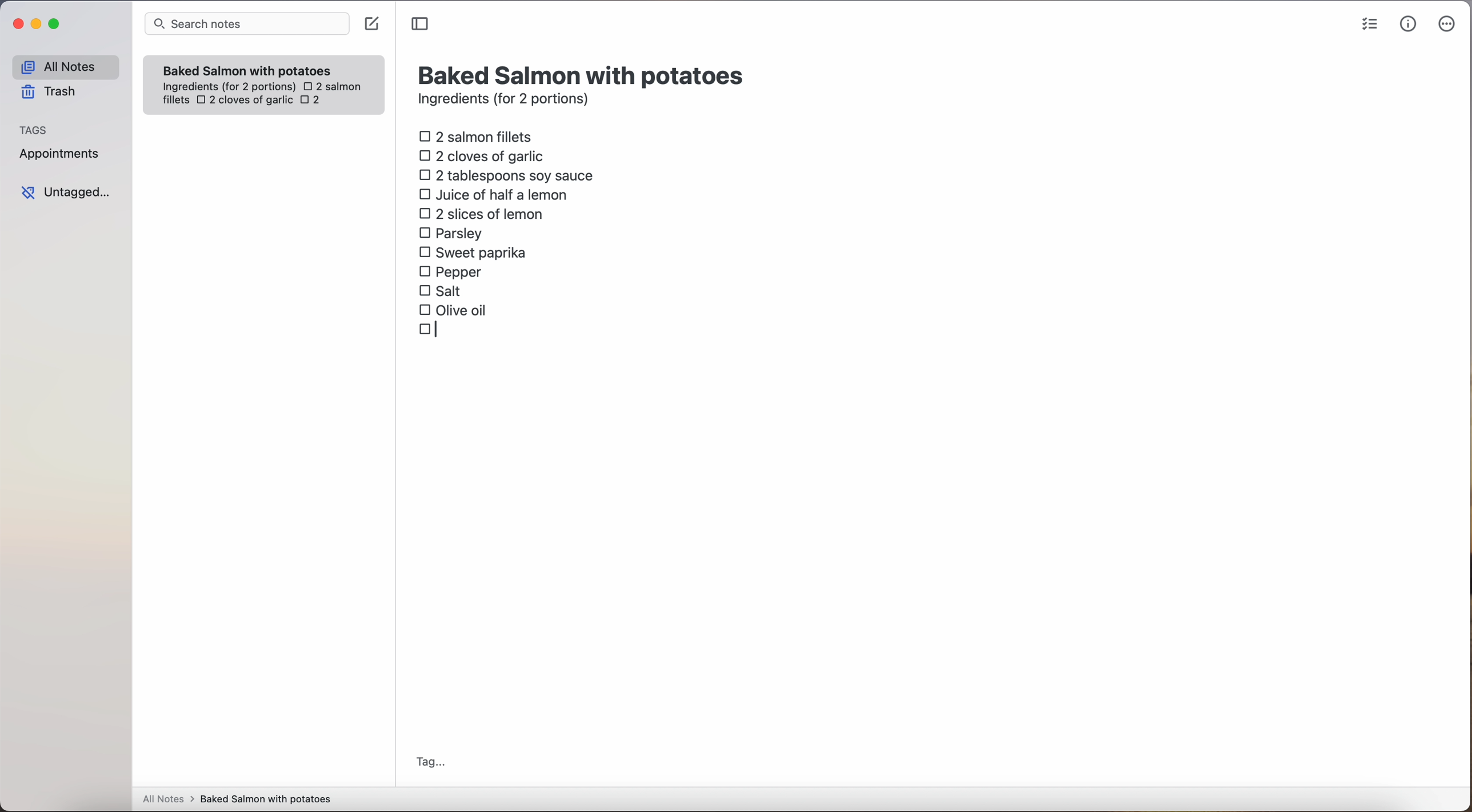 This screenshot has height=812, width=1472. Describe the element at coordinates (506, 175) in the screenshot. I see `2 tablespoons soy sauce` at that location.